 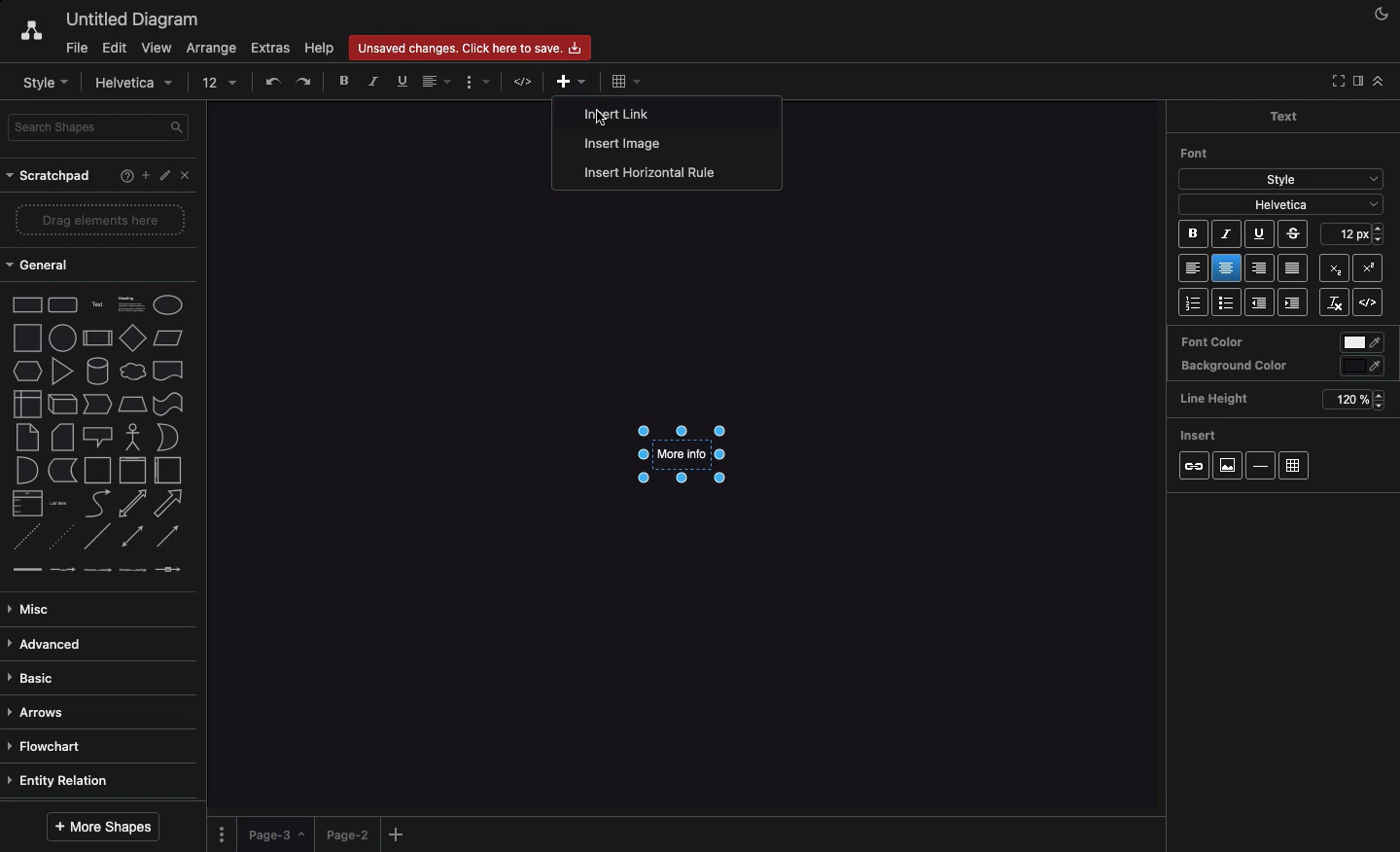 What do you see at coordinates (1351, 401) in the screenshot?
I see `120%` at bounding box center [1351, 401].